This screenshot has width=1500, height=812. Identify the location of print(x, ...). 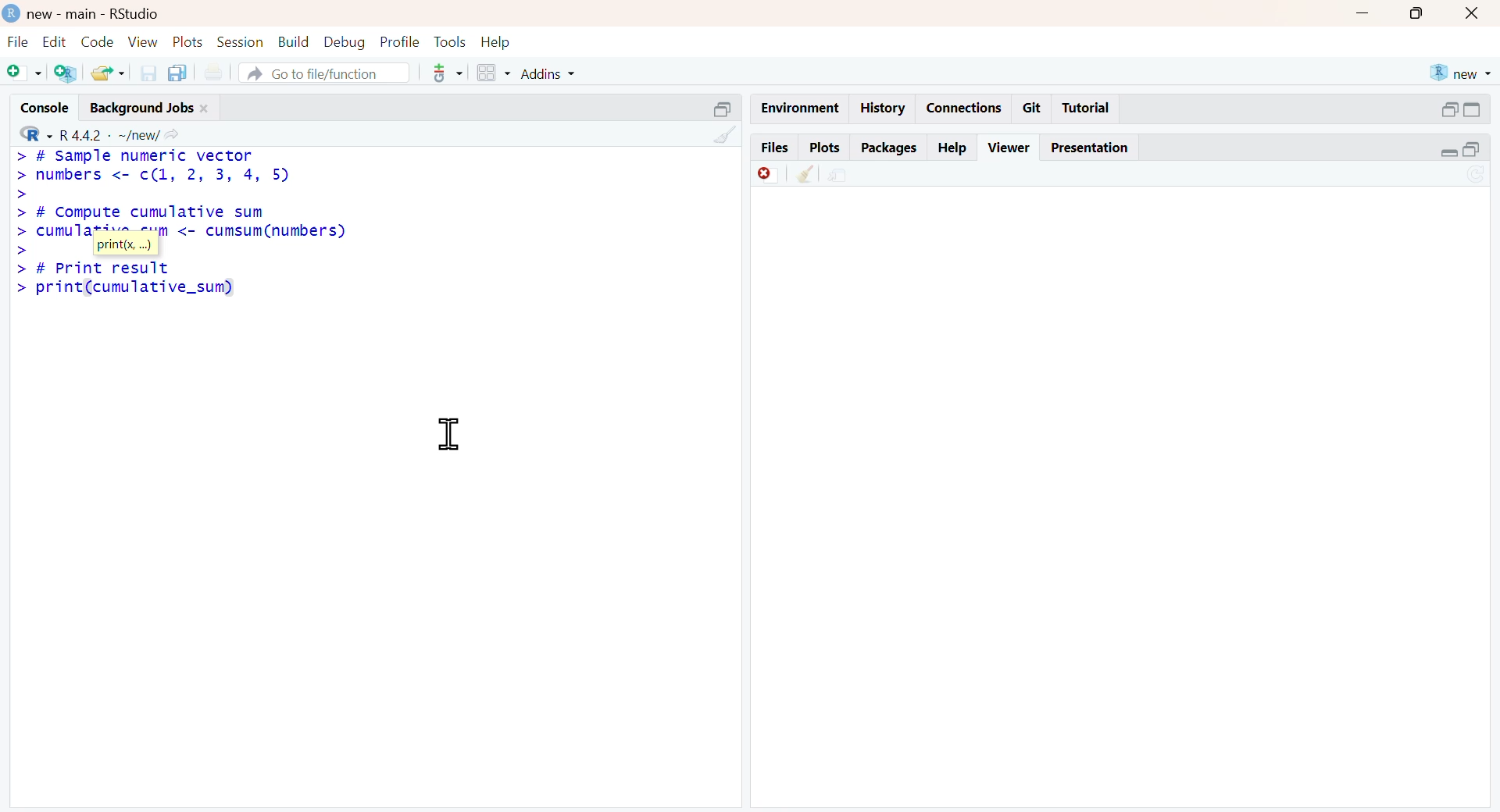
(125, 247).